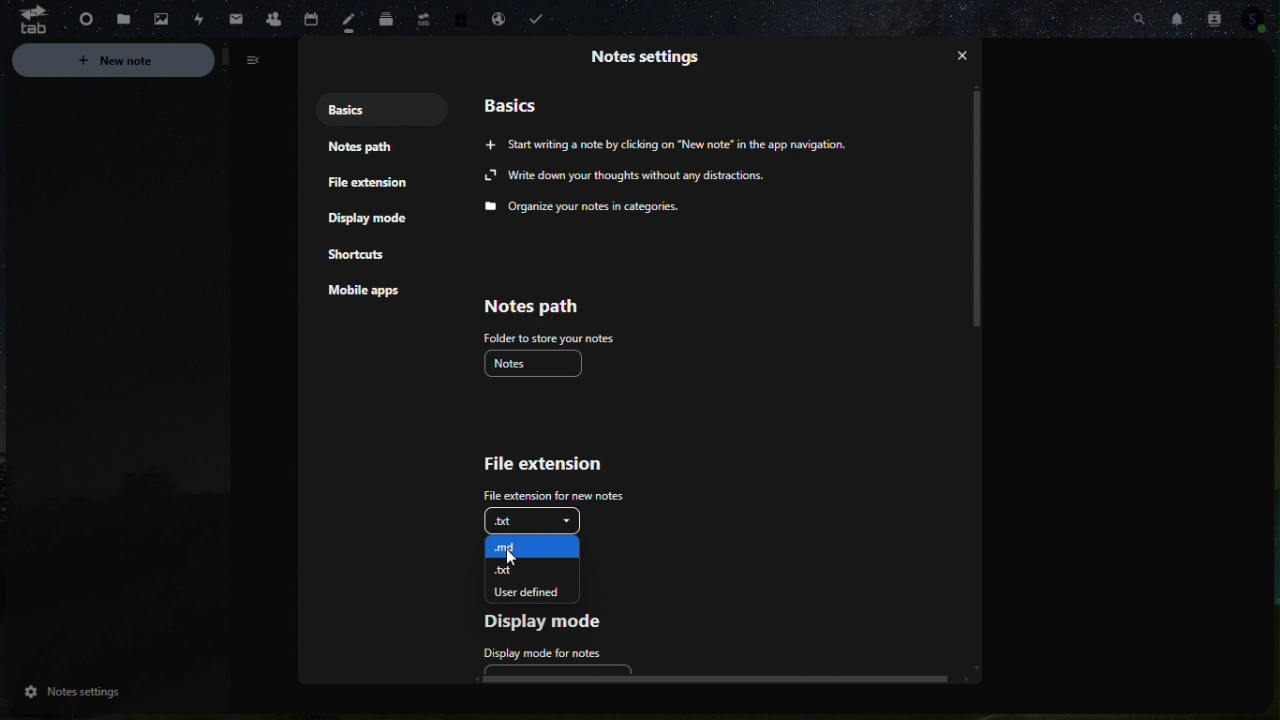 This screenshot has width=1280, height=720. I want to click on Note settings, so click(654, 55).